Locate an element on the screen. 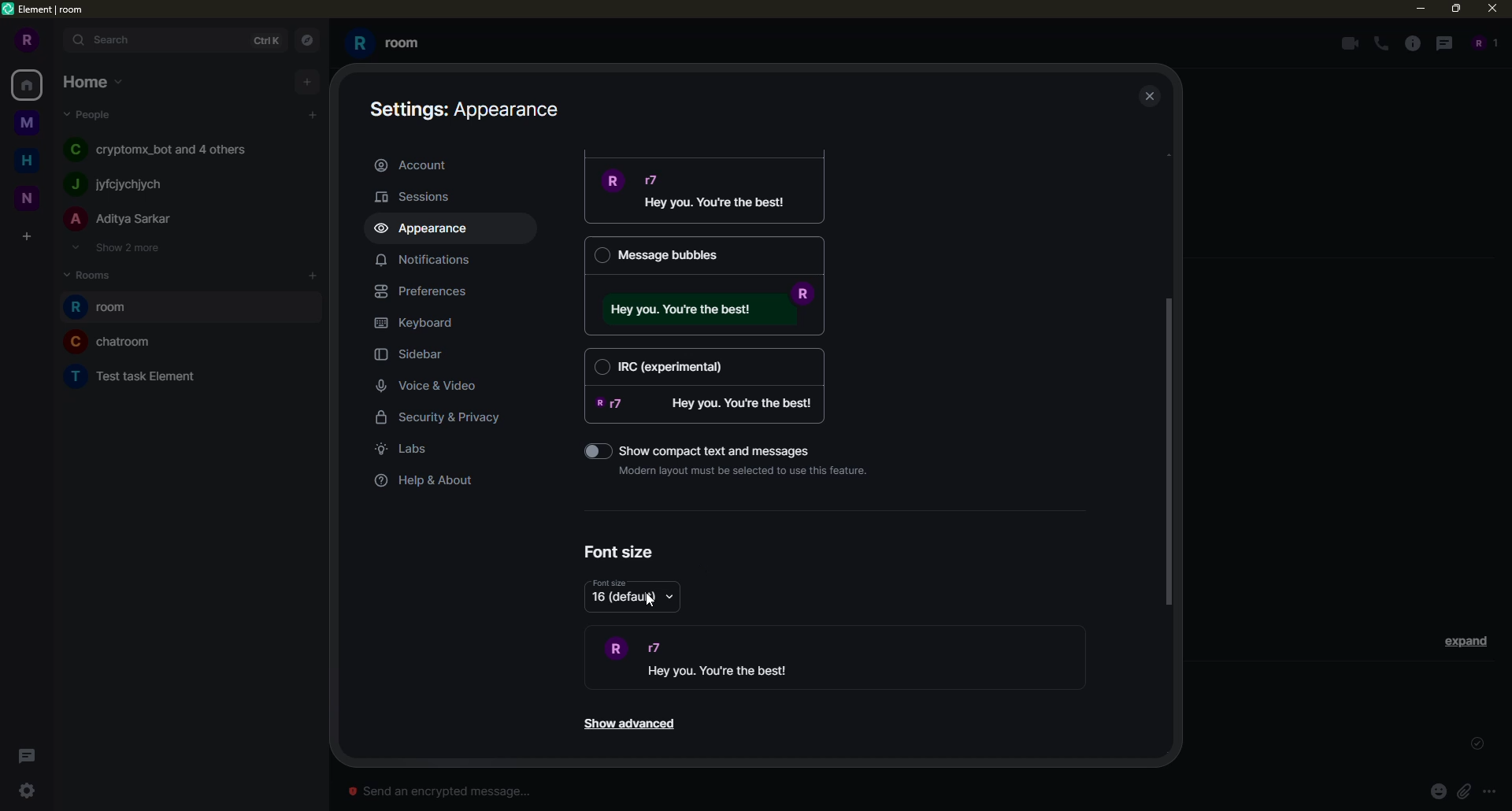  room is located at coordinates (112, 341).